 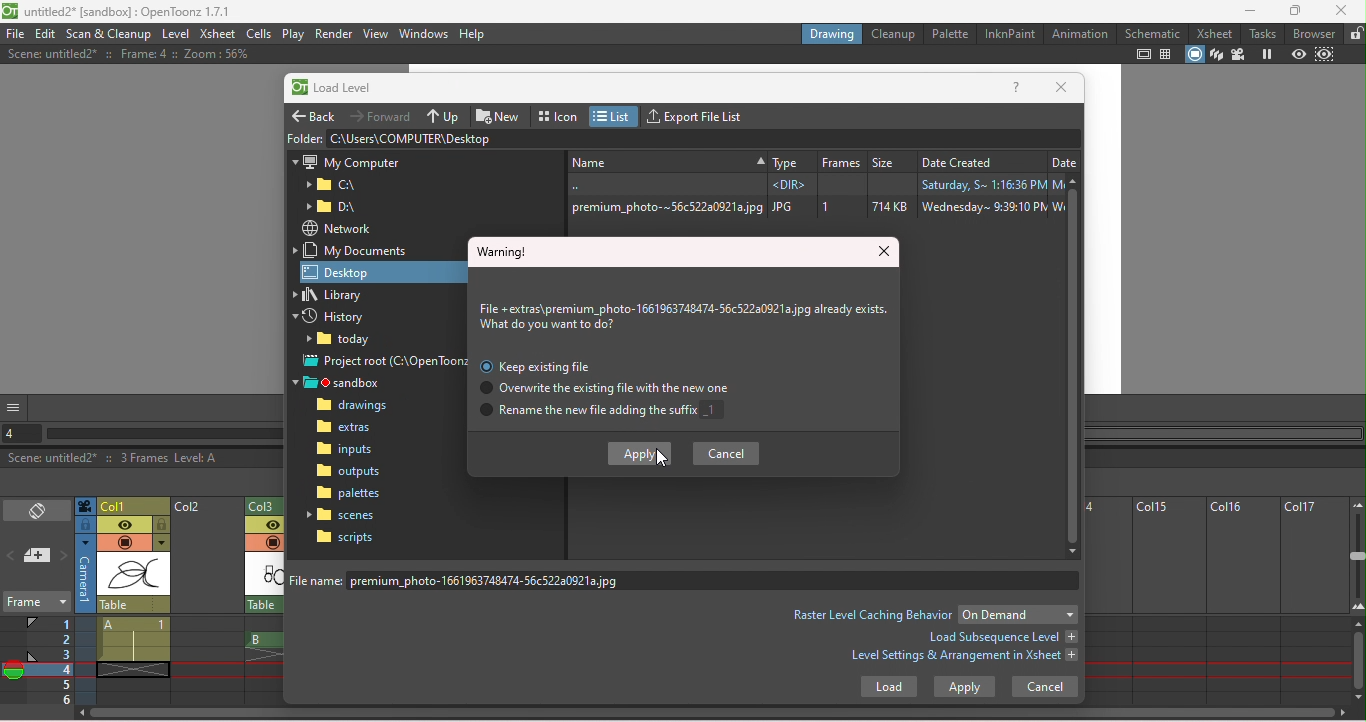 I want to click on Scene: untitled2* :: 3 Frames Level: A Selected: 1 frame: 1 column, so click(x=142, y=459).